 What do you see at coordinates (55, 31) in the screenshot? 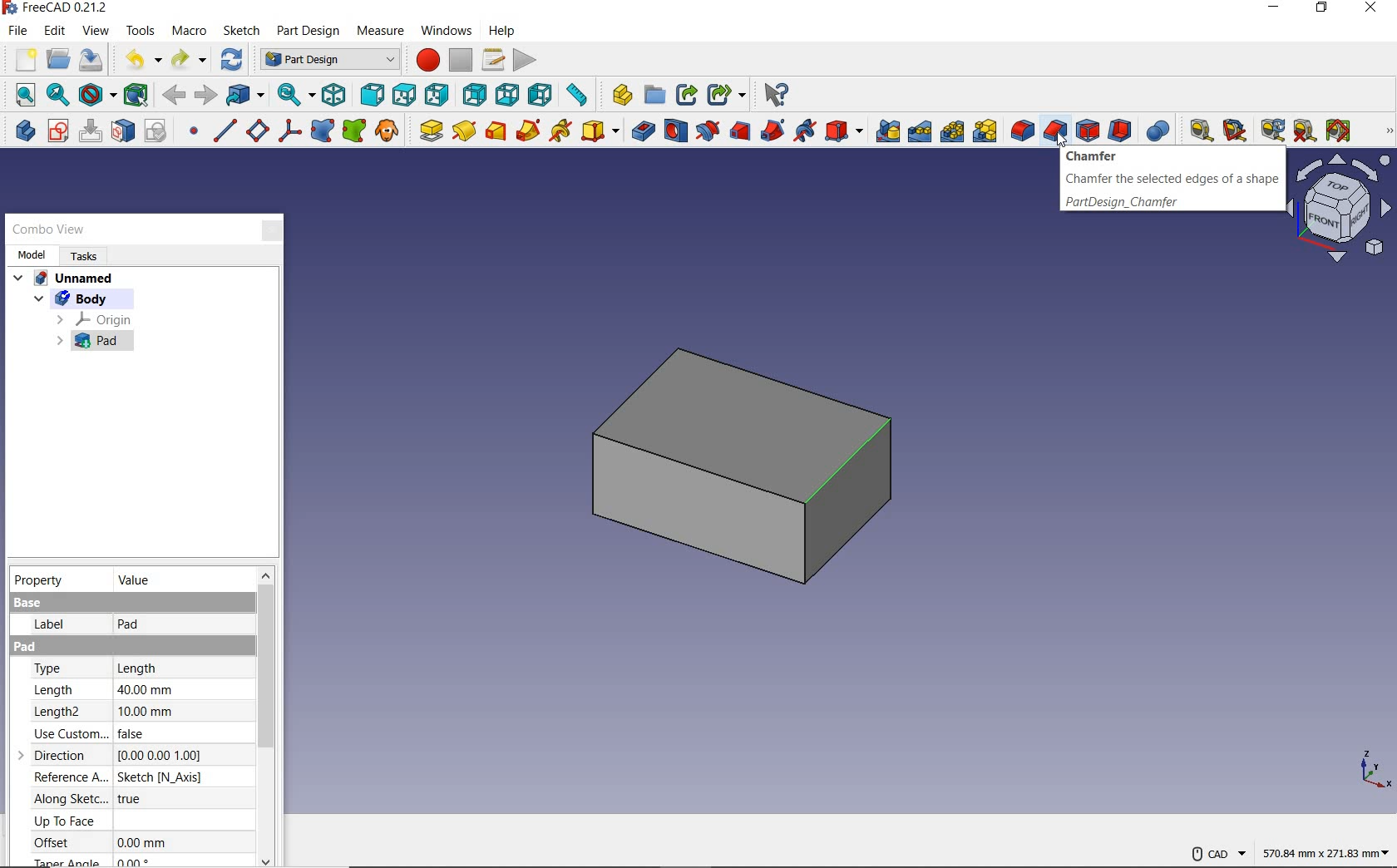
I see `edit` at bounding box center [55, 31].